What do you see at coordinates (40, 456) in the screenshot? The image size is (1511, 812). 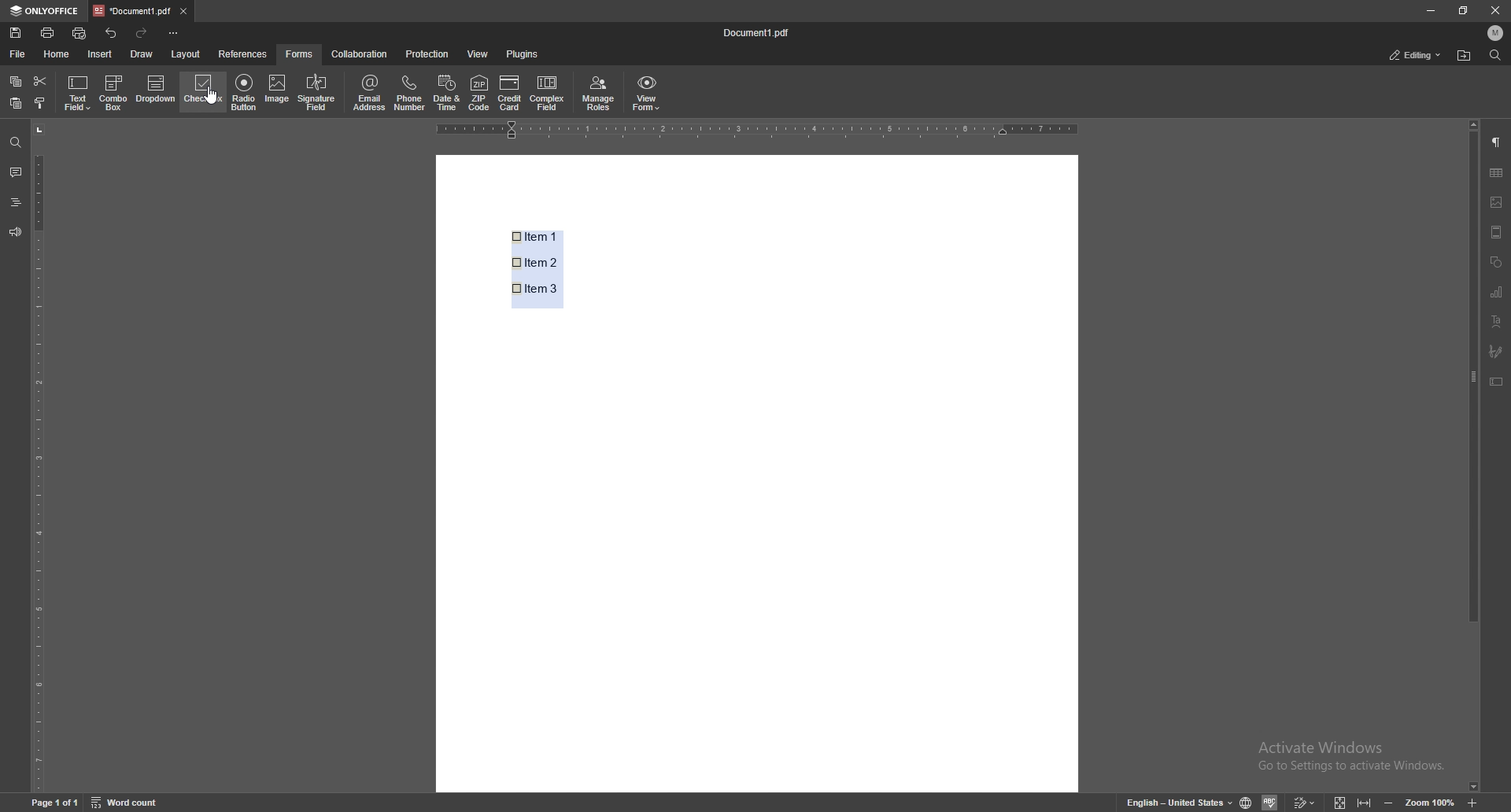 I see `vertical scale` at bounding box center [40, 456].